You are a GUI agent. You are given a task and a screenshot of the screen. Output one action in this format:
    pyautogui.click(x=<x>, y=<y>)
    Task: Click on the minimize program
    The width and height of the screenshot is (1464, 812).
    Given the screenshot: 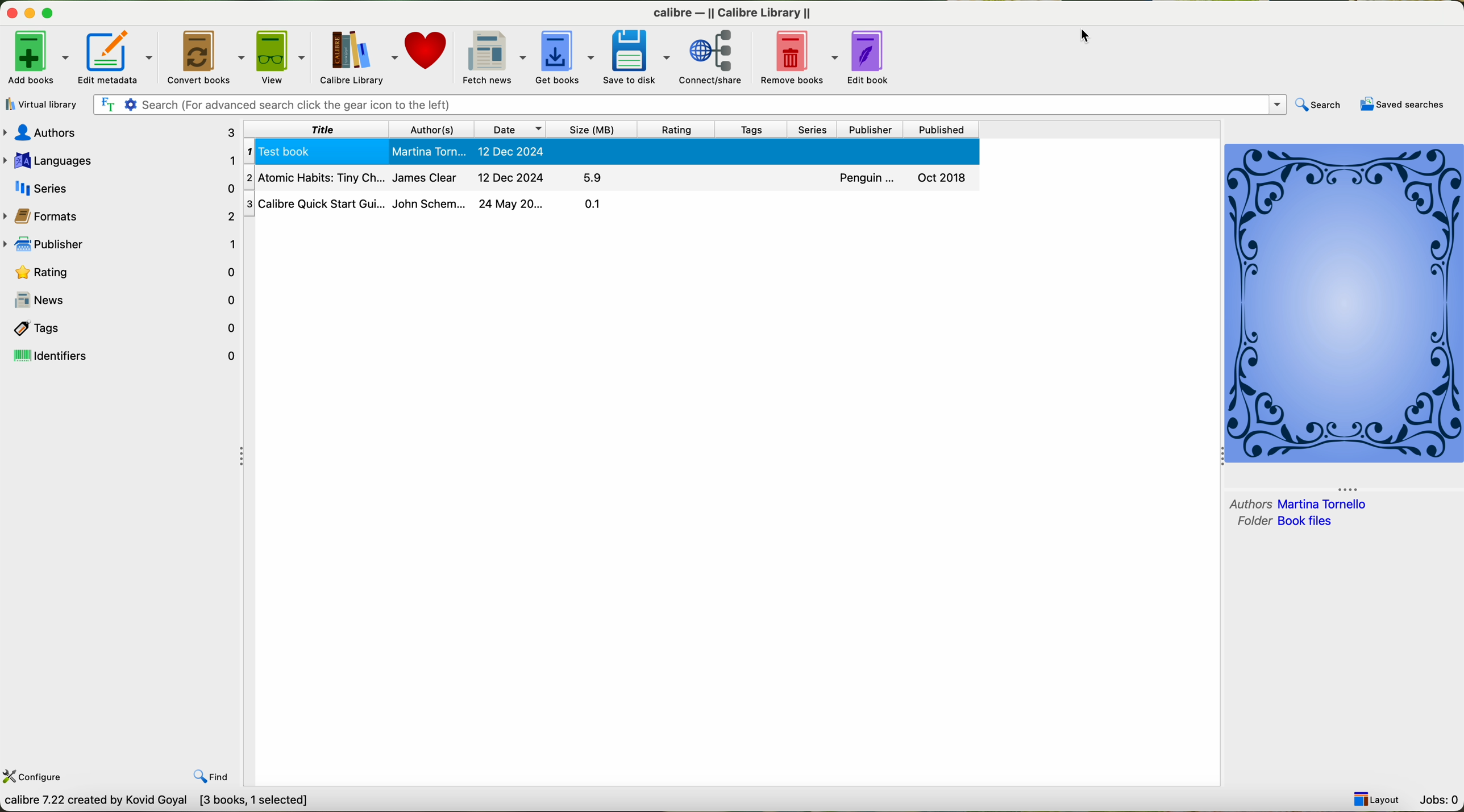 What is the action you would take?
    pyautogui.click(x=28, y=11)
    